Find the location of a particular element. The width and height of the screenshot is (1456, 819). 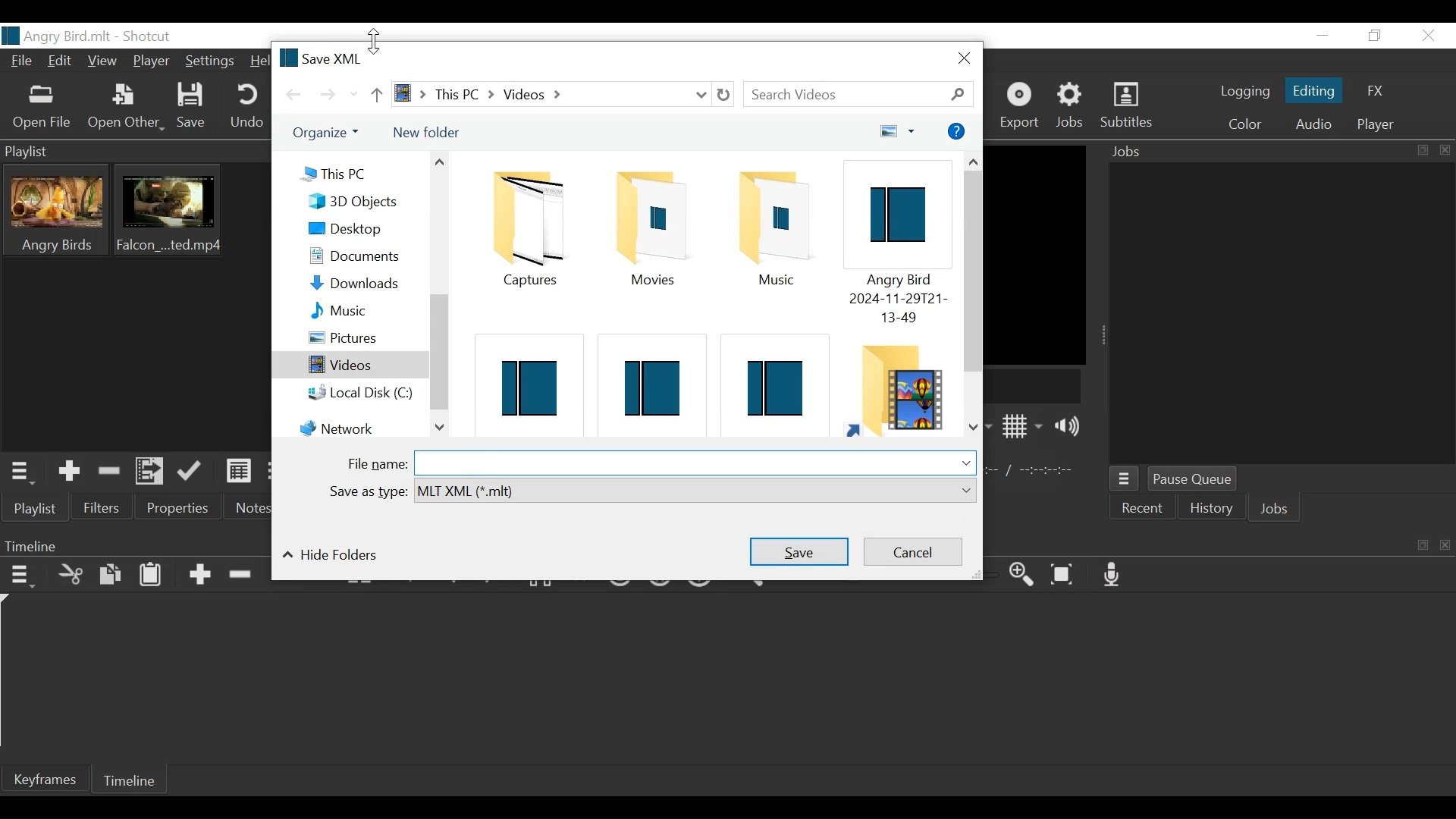

Search is located at coordinates (858, 95).